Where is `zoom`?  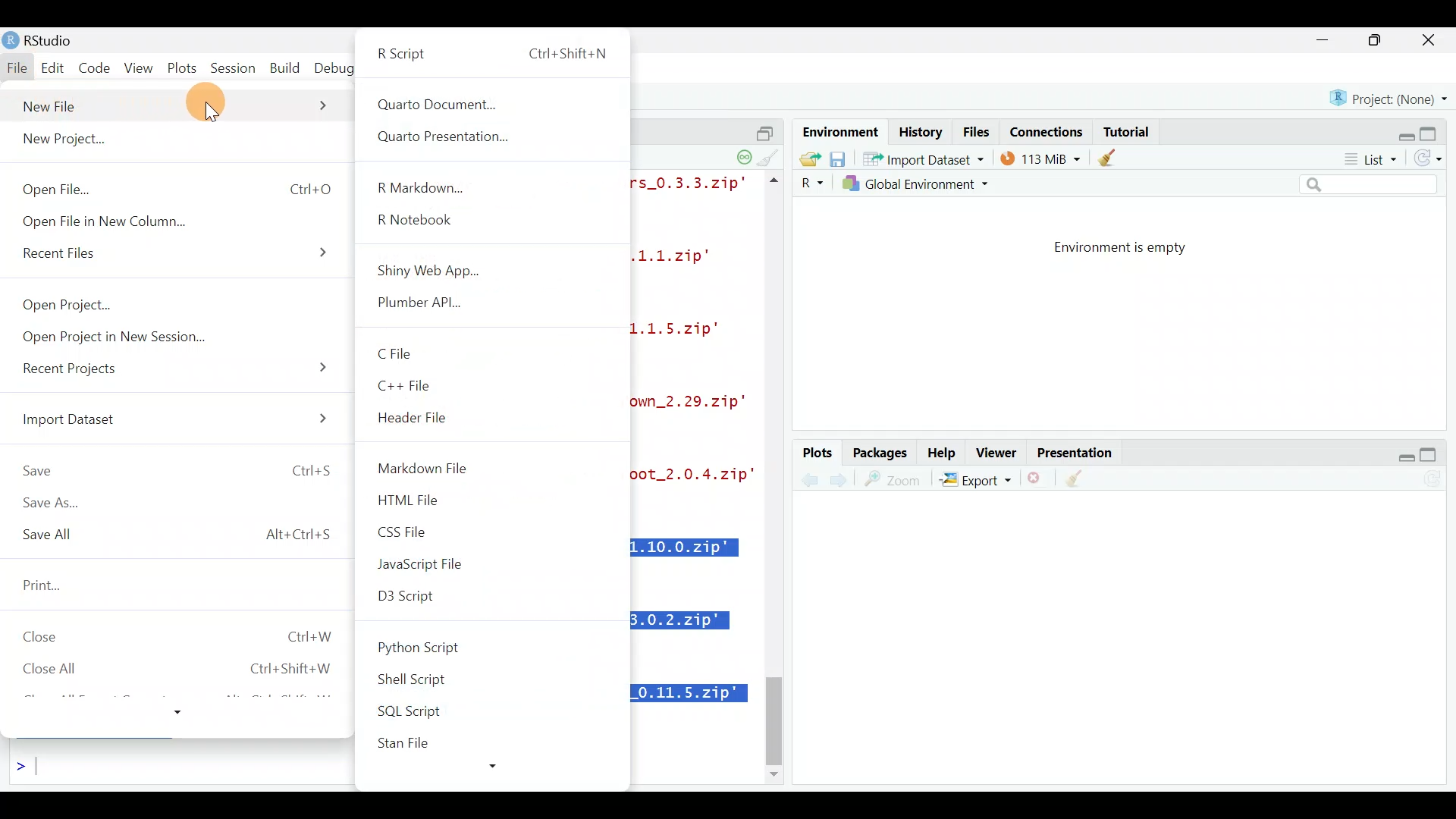 zoom is located at coordinates (896, 480).